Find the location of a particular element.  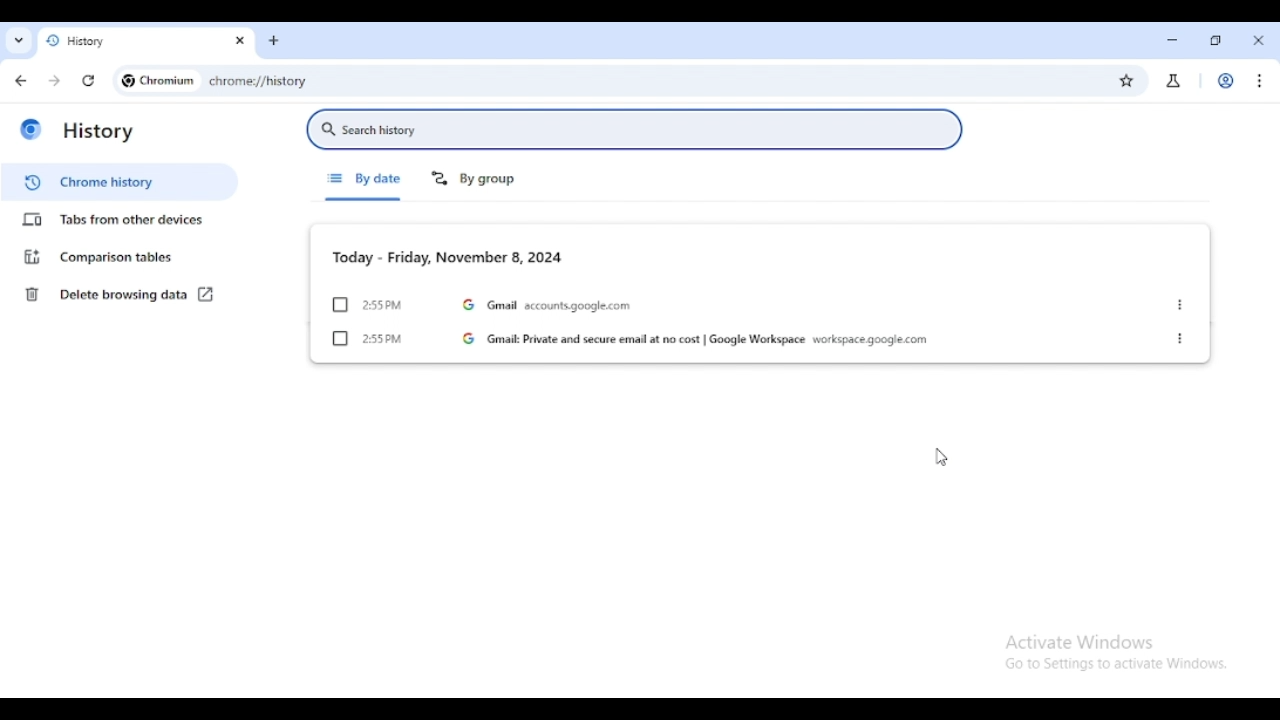

maximize is located at coordinates (1216, 40).